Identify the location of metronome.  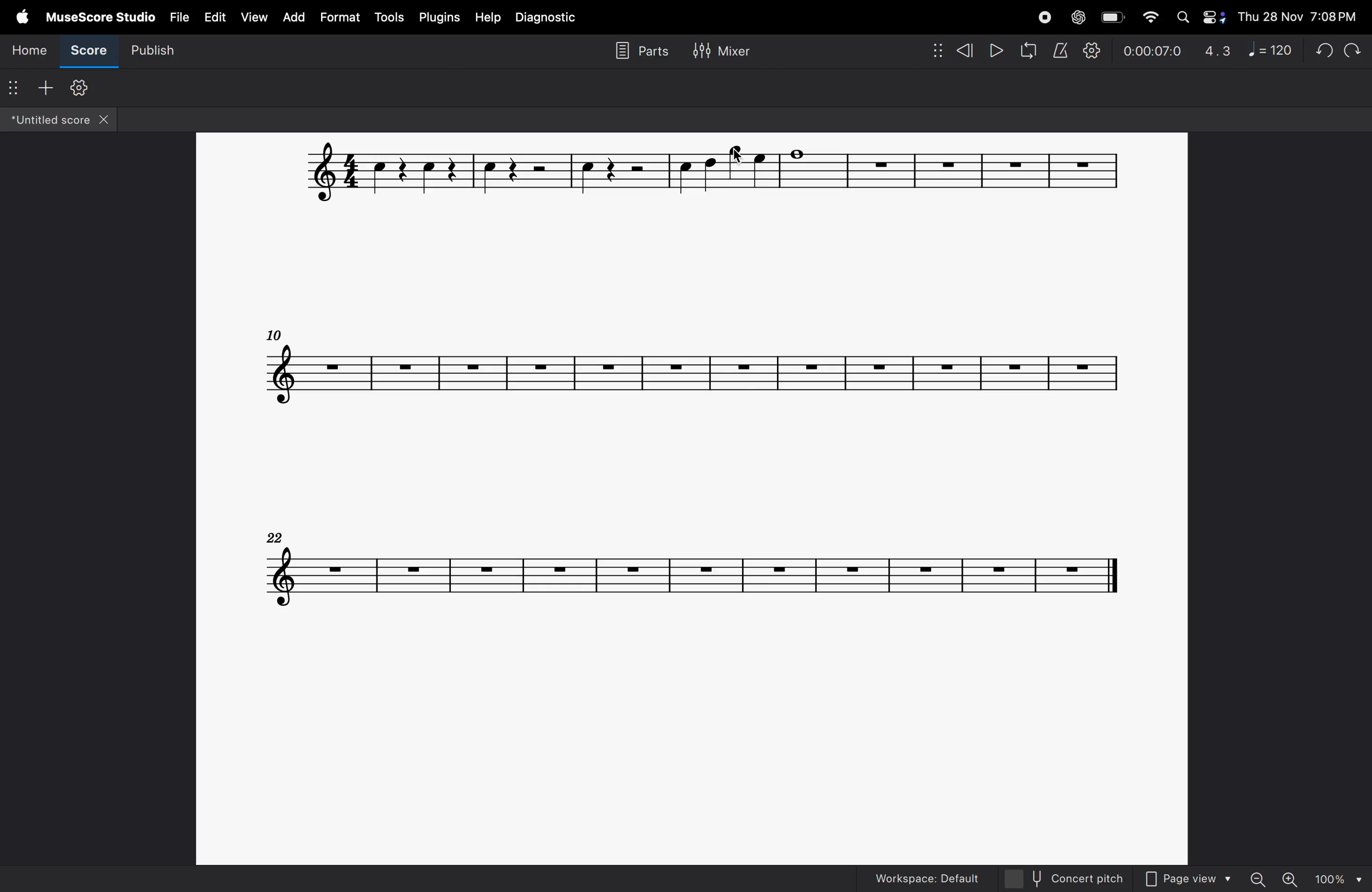
(1060, 49).